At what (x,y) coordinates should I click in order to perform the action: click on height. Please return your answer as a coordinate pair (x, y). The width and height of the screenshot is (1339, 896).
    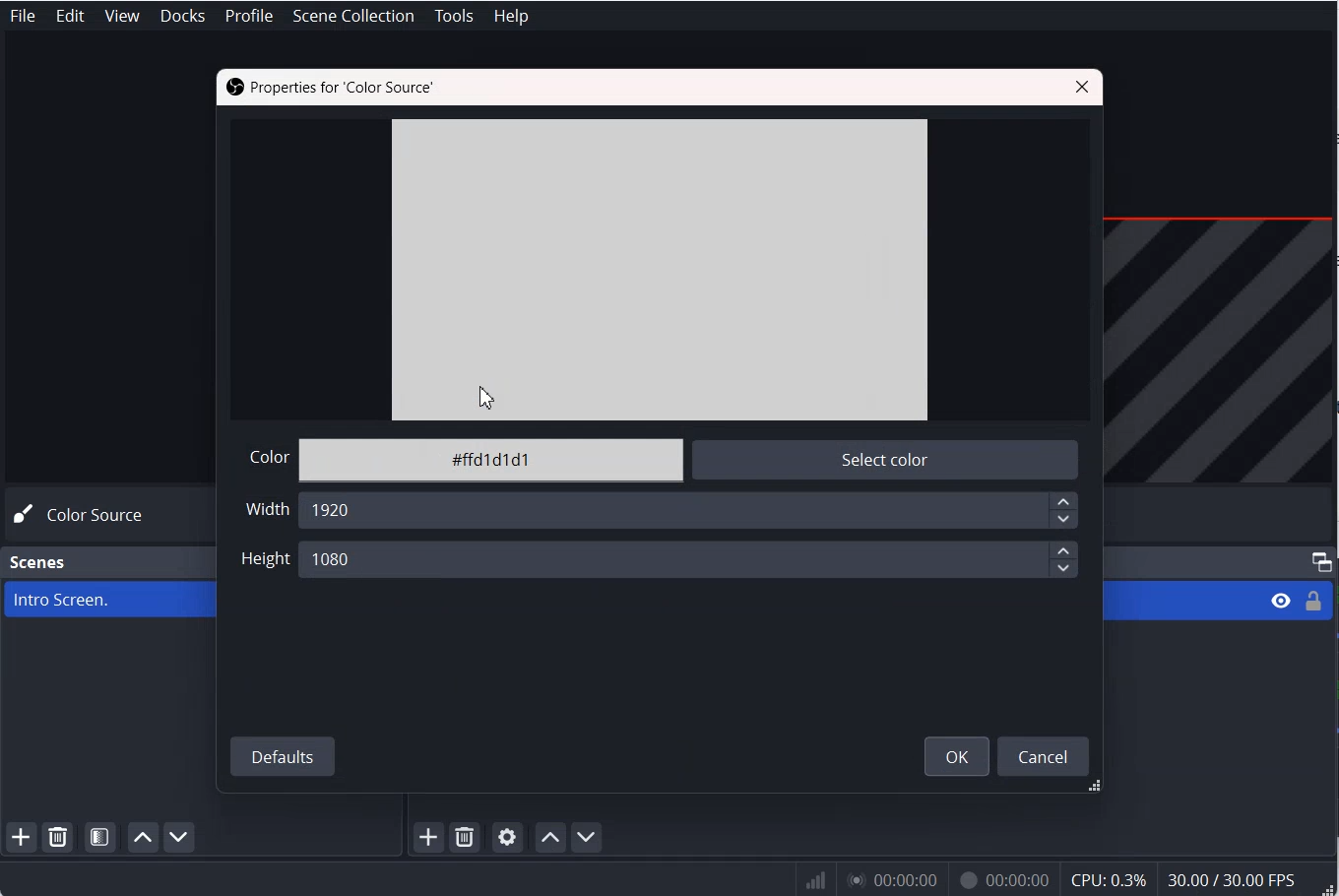
    Looking at the image, I should click on (263, 560).